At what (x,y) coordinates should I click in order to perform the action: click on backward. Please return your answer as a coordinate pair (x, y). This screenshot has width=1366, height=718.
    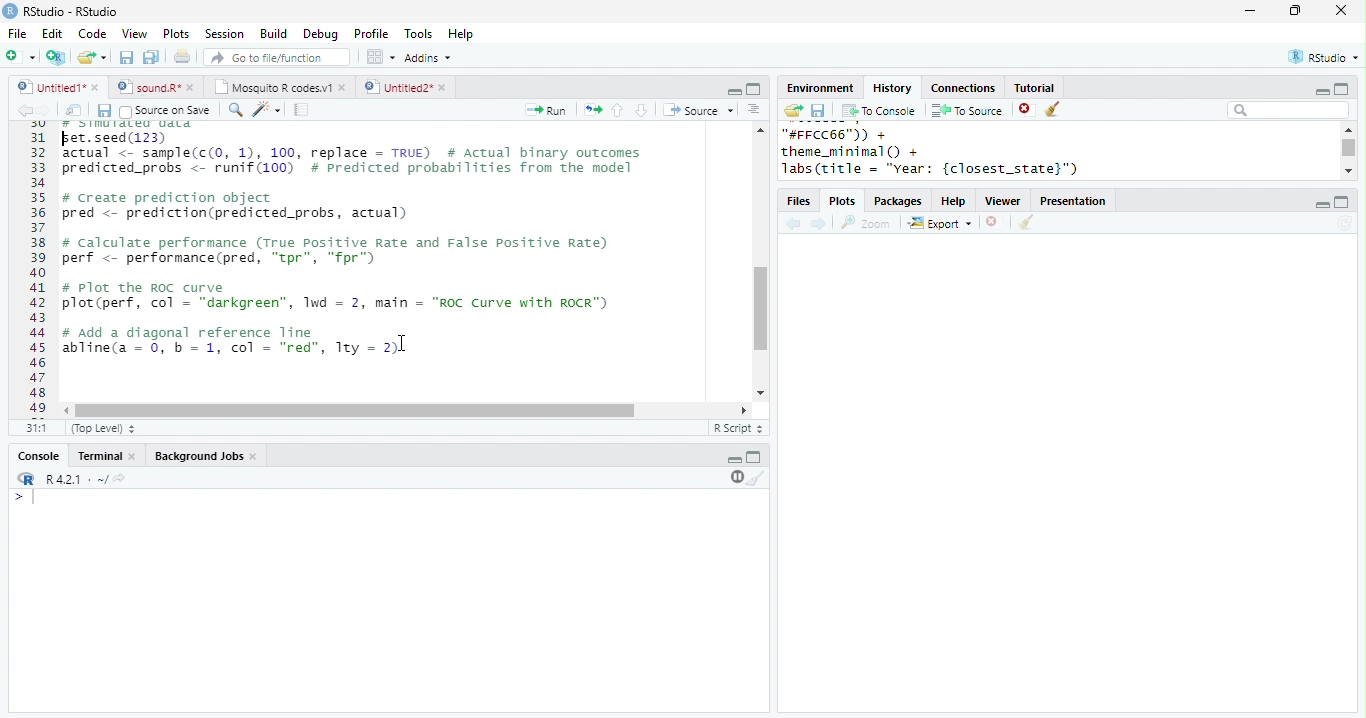
    Looking at the image, I should click on (24, 110).